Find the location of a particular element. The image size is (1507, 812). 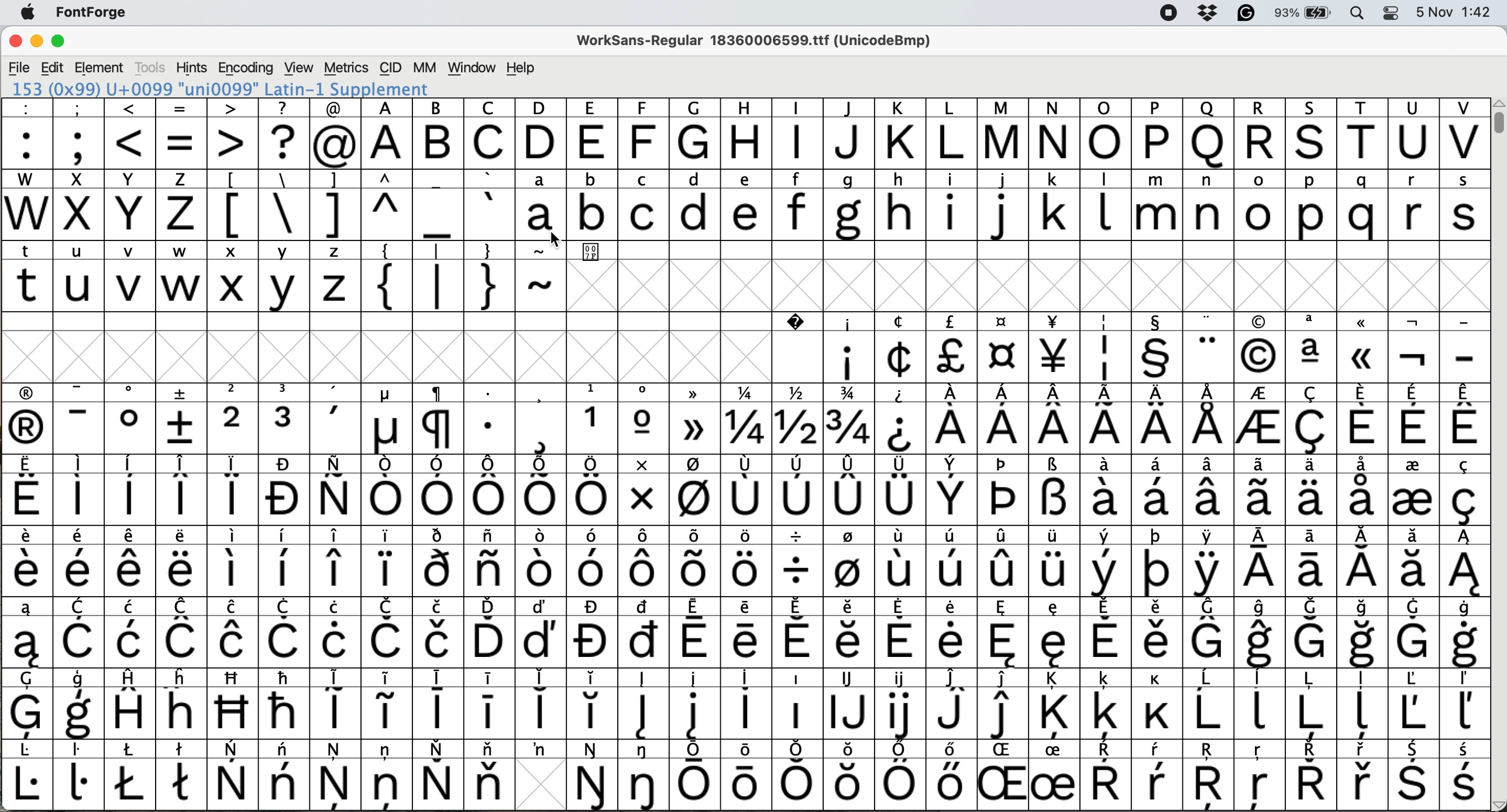

symbol is located at coordinates (1006, 349).